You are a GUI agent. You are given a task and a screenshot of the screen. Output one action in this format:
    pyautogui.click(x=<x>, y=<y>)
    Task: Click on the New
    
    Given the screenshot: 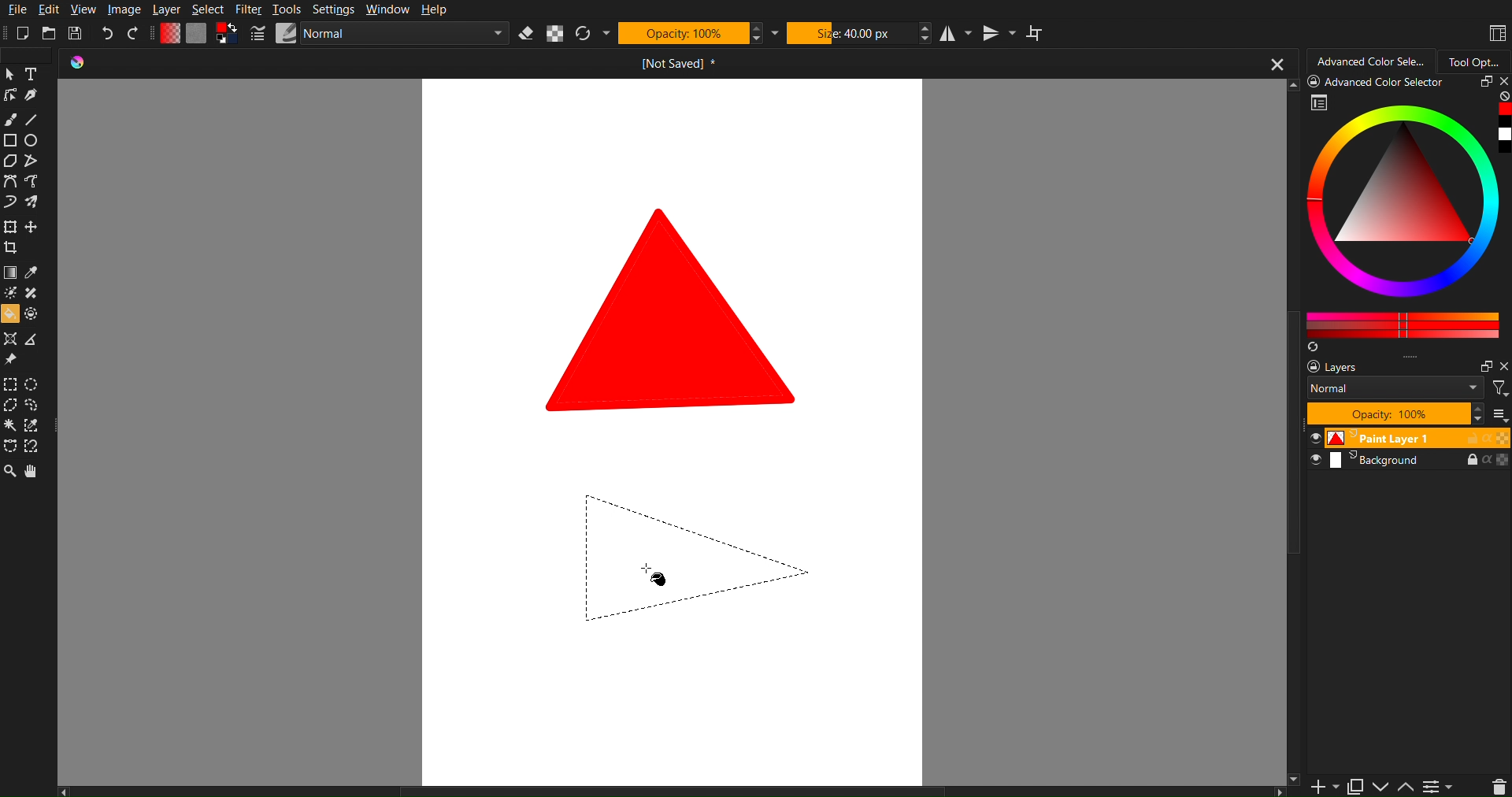 What is the action you would take?
    pyautogui.click(x=21, y=33)
    